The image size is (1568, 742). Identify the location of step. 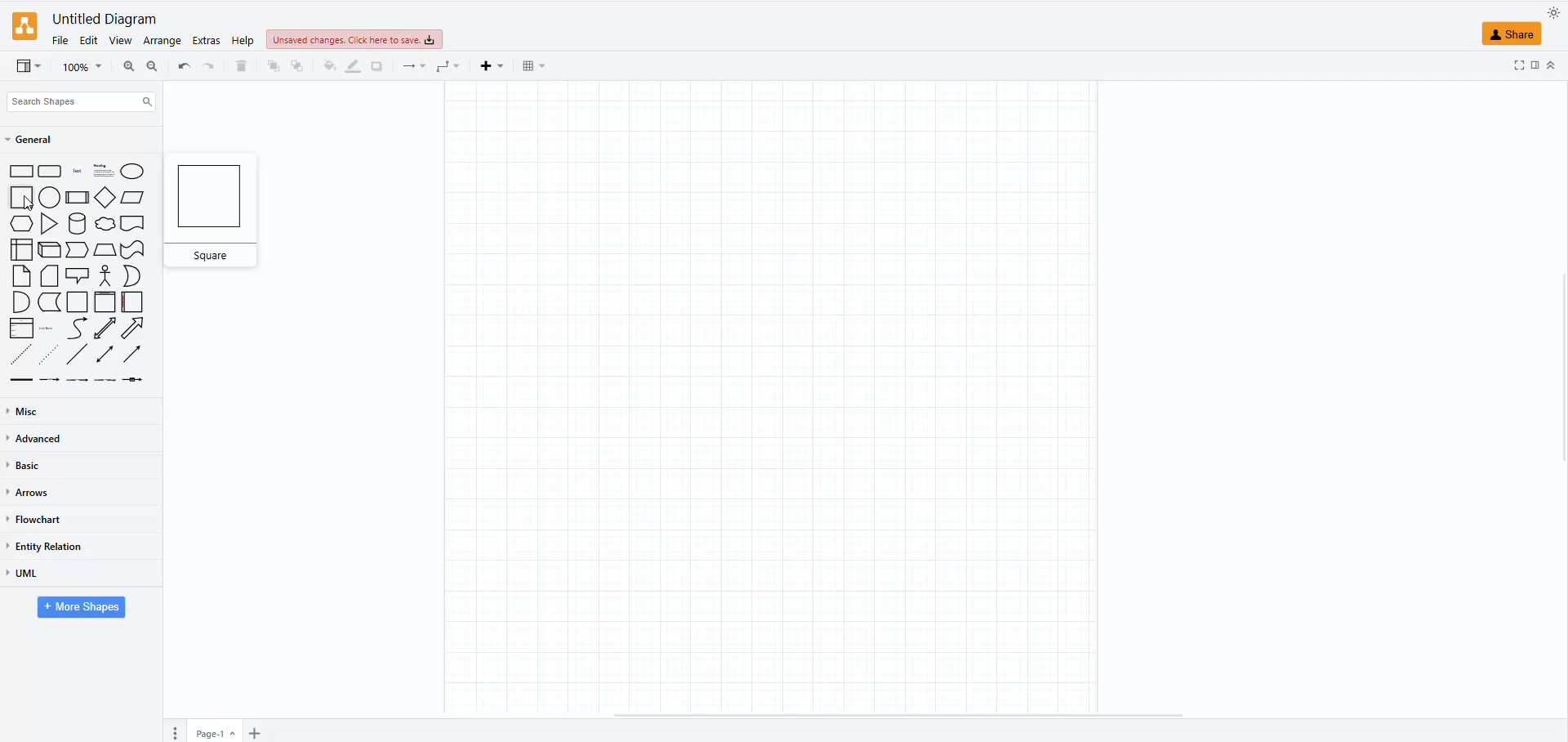
(76, 251).